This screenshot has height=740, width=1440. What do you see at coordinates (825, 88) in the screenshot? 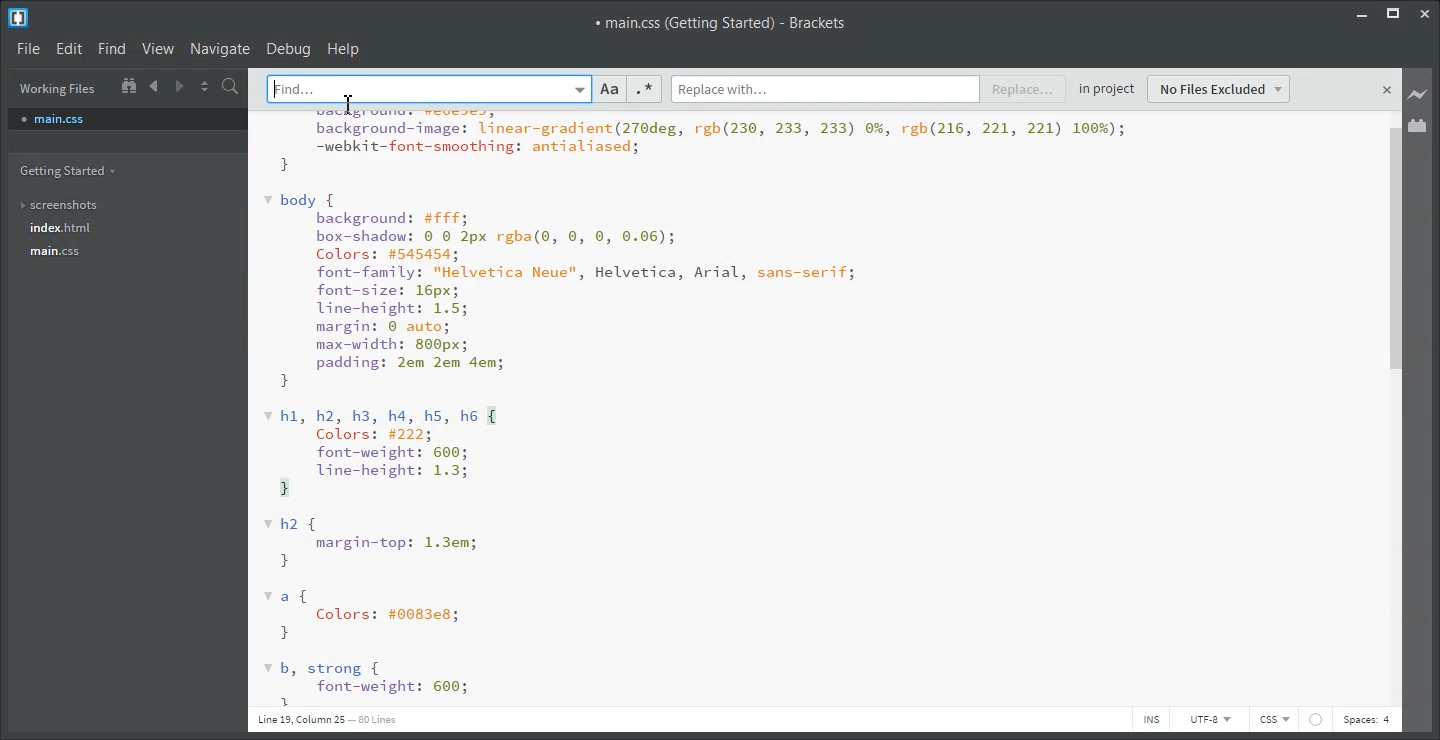
I see `Replace with typing window` at bounding box center [825, 88].